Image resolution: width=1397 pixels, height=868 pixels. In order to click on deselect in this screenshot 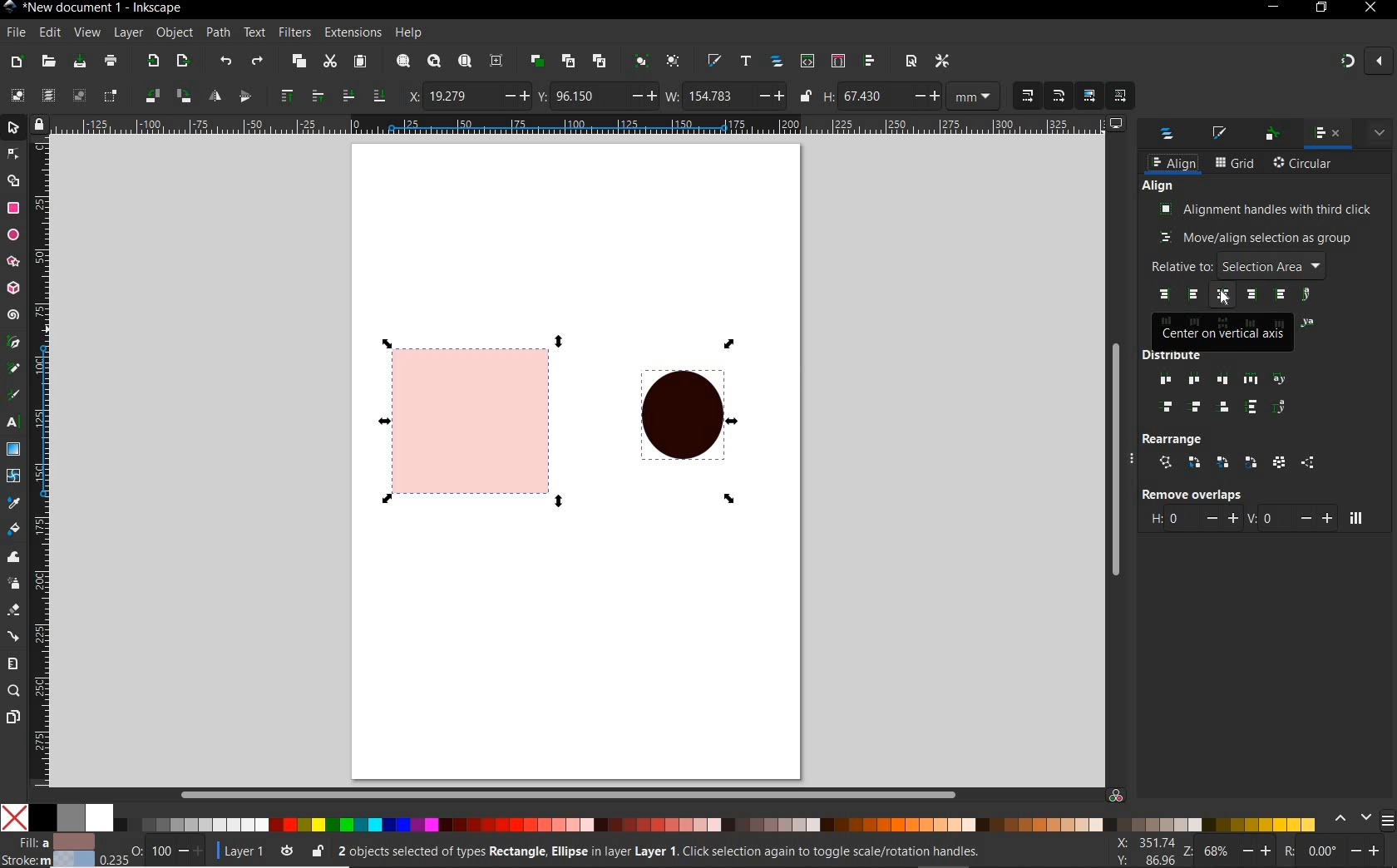, I will do `click(79, 97)`.